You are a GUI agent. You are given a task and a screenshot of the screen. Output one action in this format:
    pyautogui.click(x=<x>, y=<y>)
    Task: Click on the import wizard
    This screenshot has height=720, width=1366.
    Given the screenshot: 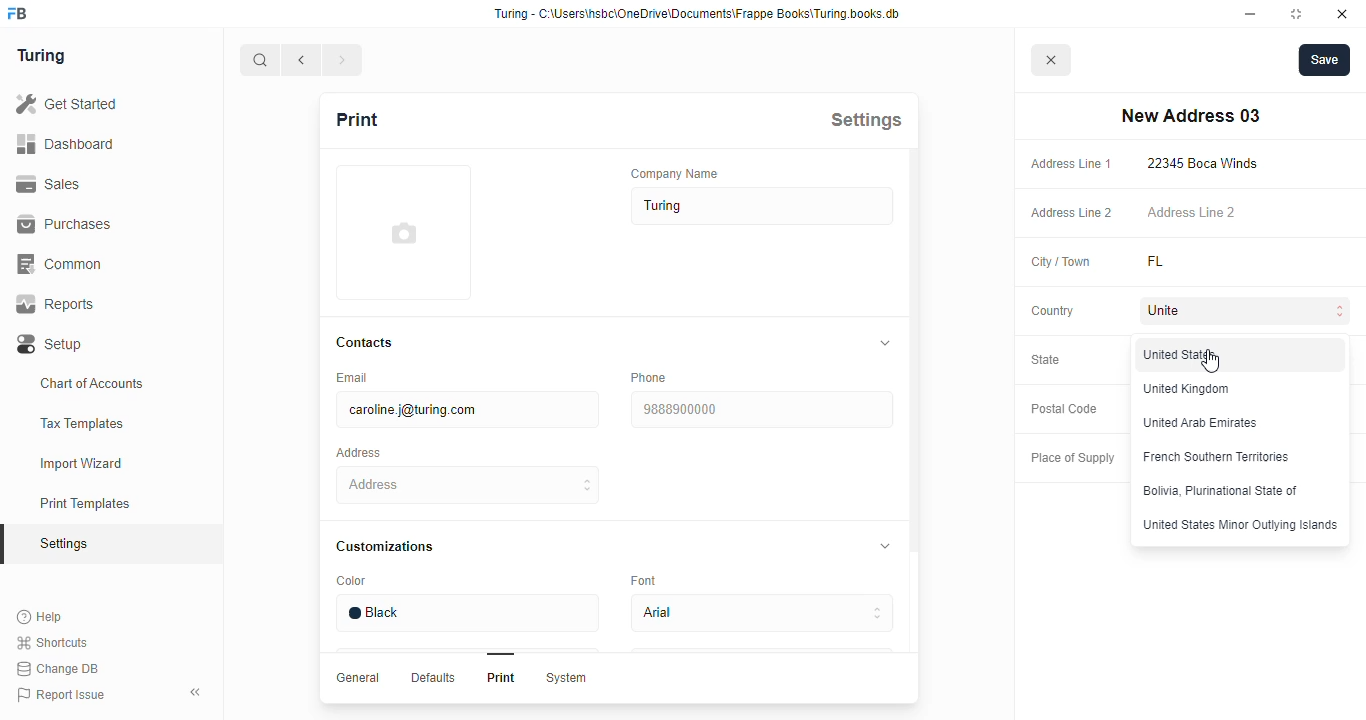 What is the action you would take?
    pyautogui.click(x=82, y=464)
    